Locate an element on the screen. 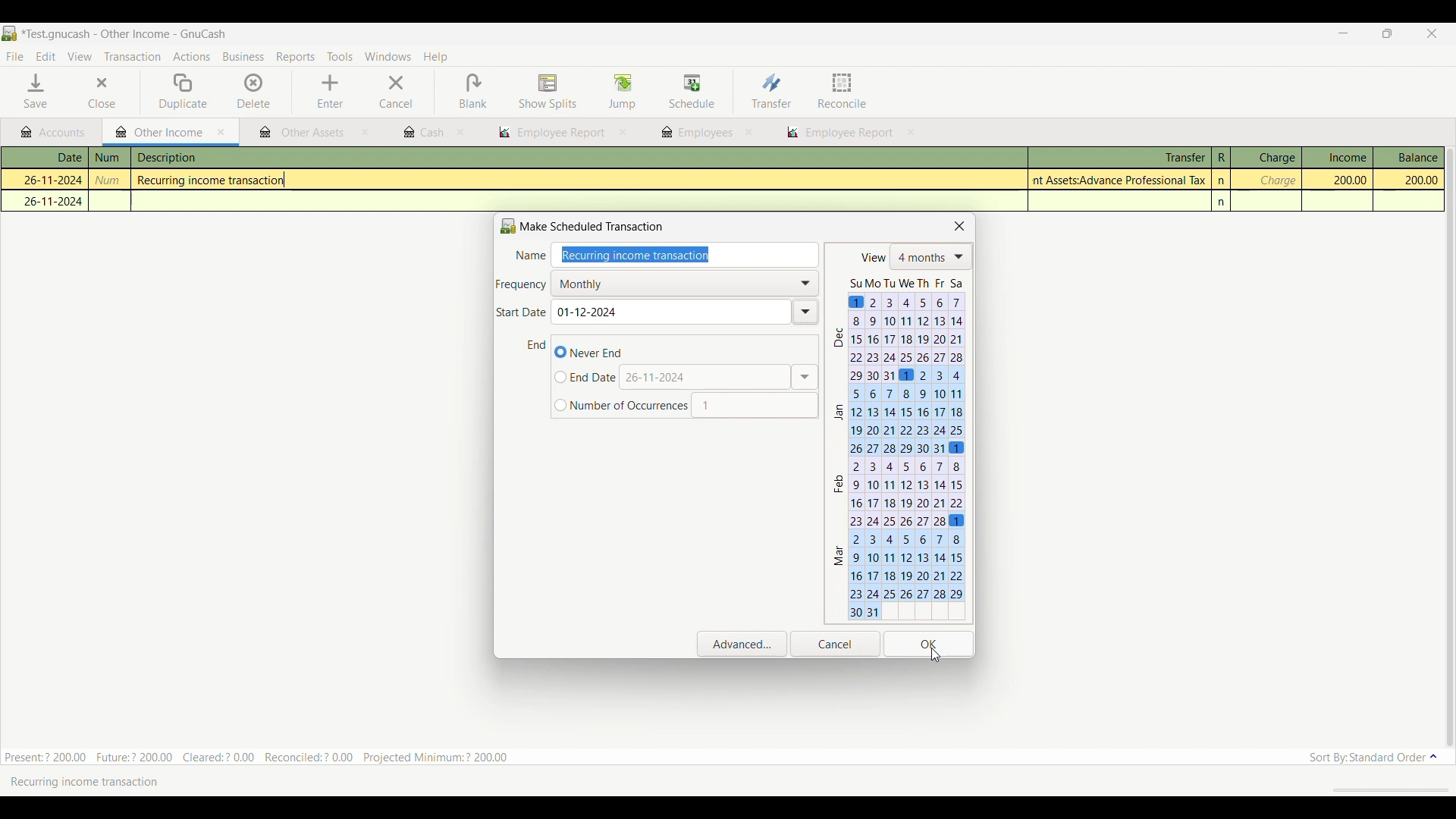  num is located at coordinates (111, 180).